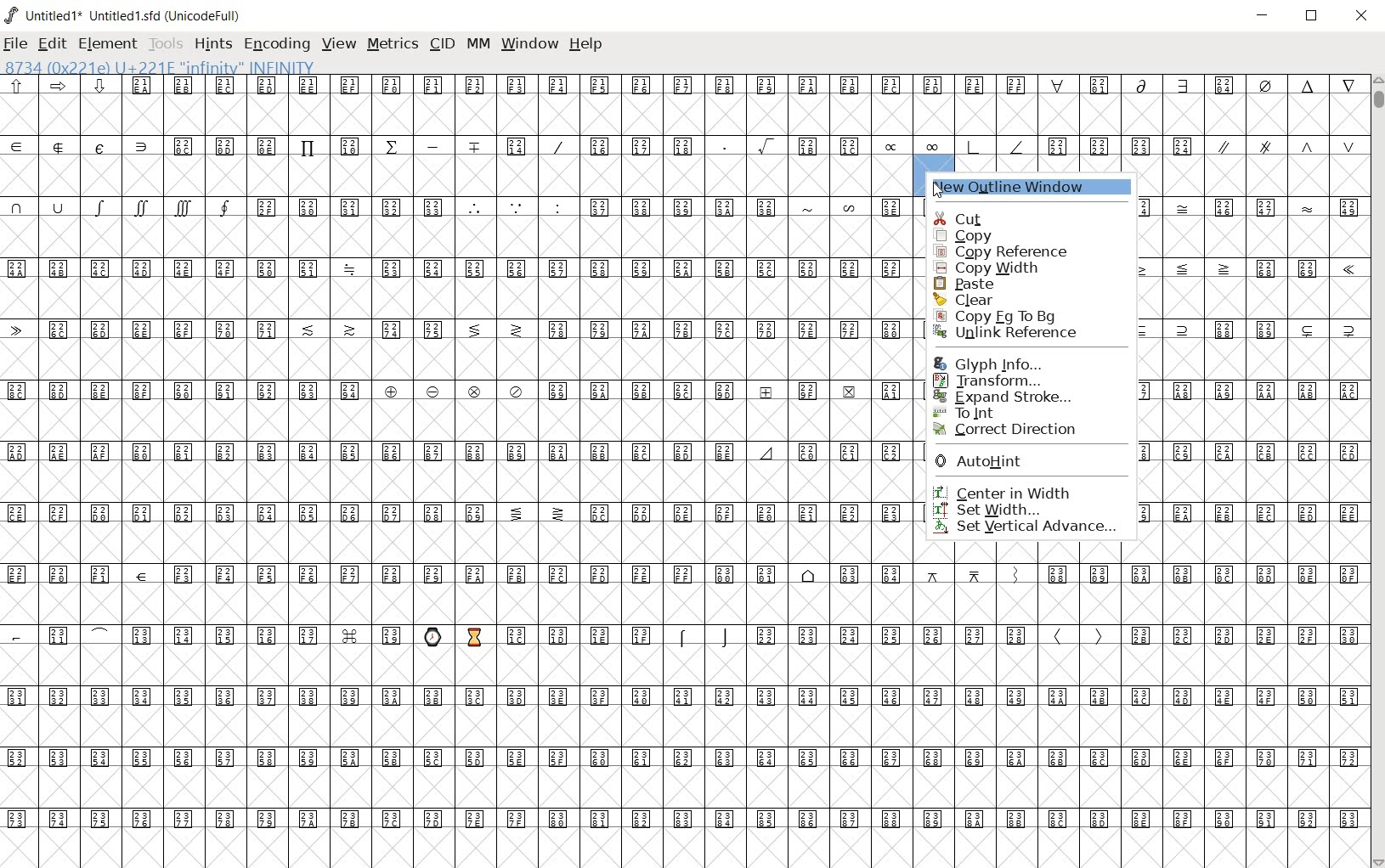 The height and width of the screenshot is (868, 1385). What do you see at coordinates (1363, 16) in the screenshot?
I see `close` at bounding box center [1363, 16].